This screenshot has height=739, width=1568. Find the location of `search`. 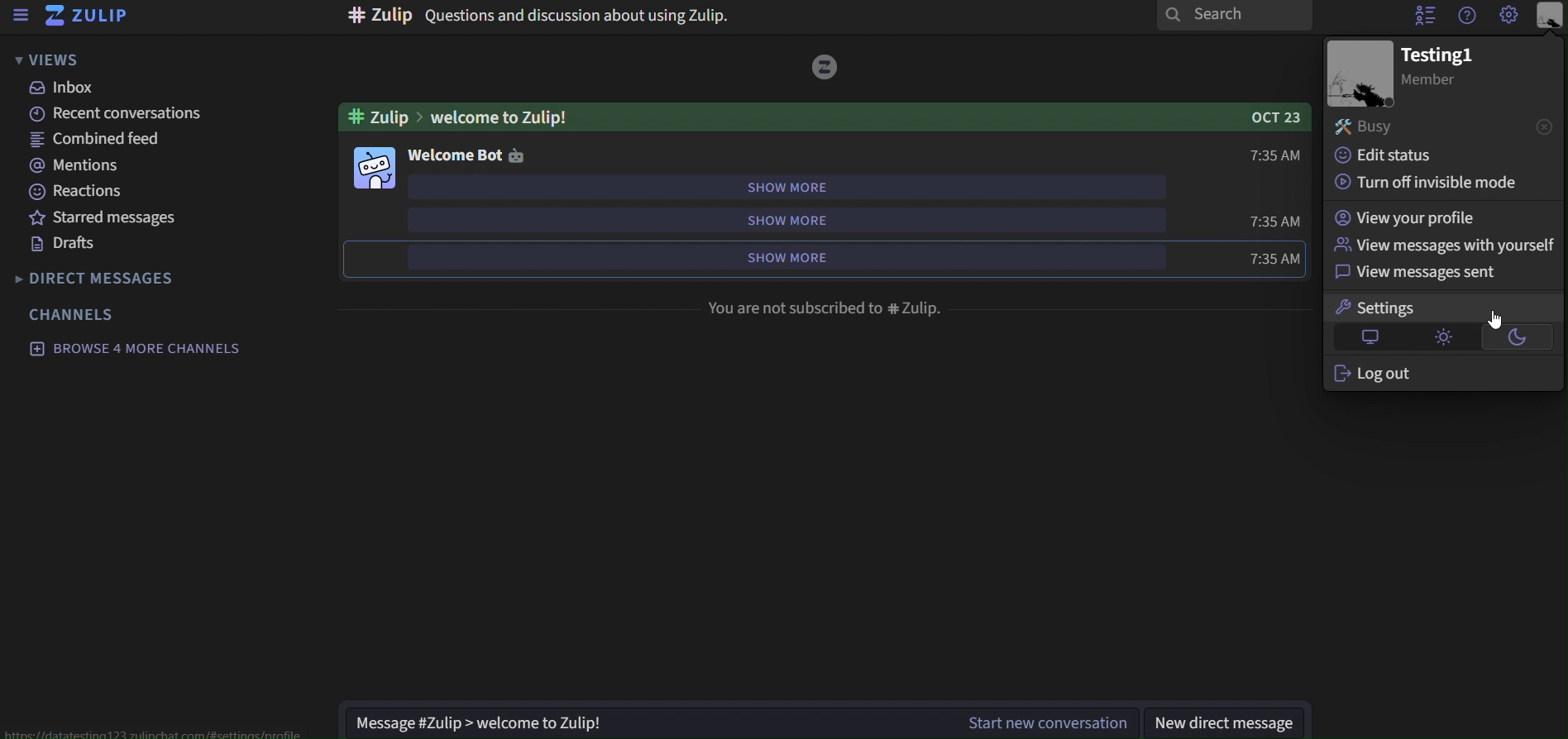

search is located at coordinates (1235, 17).